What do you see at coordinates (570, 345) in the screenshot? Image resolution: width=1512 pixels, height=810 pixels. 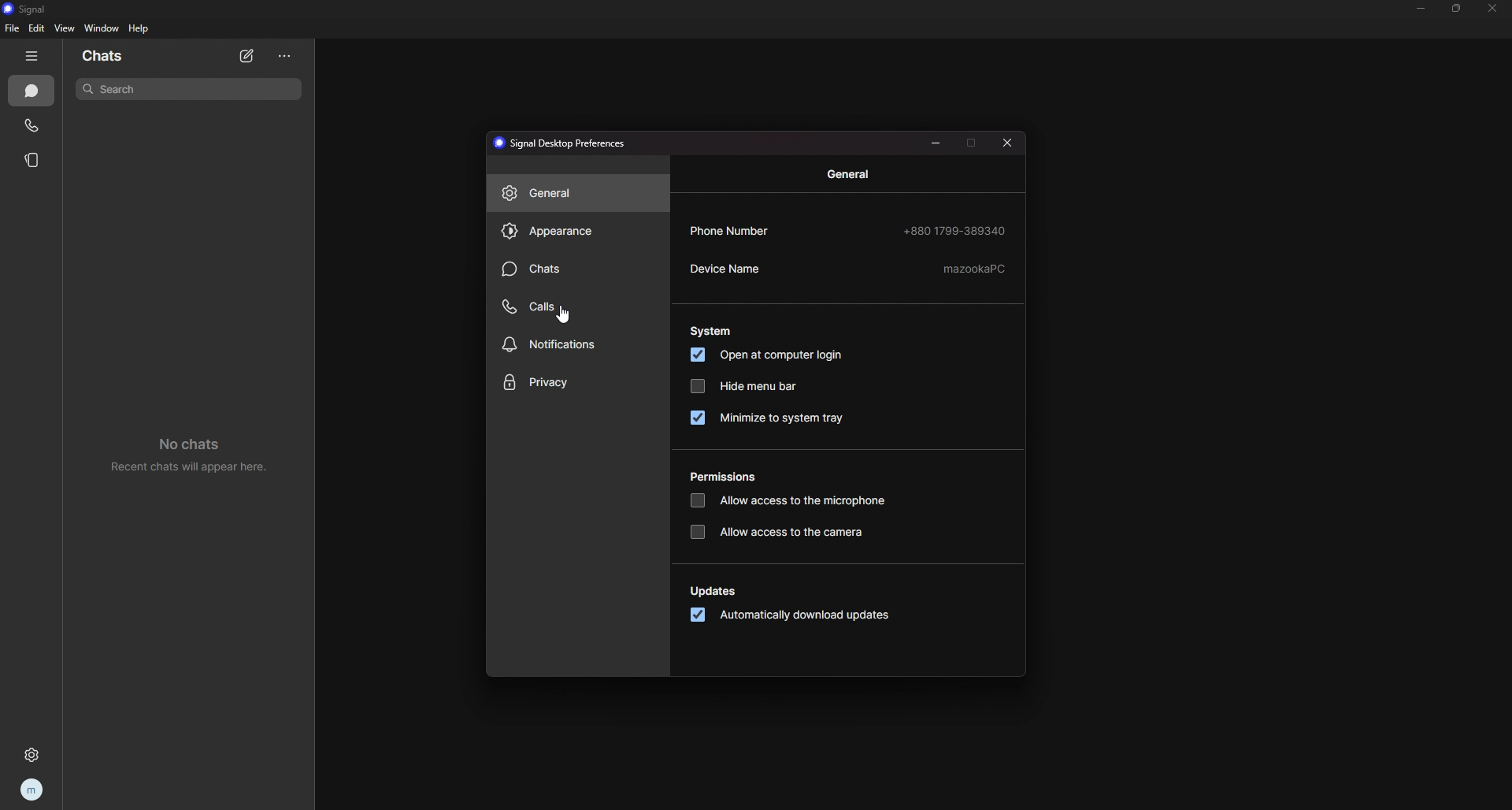 I see `notifications` at bounding box center [570, 345].